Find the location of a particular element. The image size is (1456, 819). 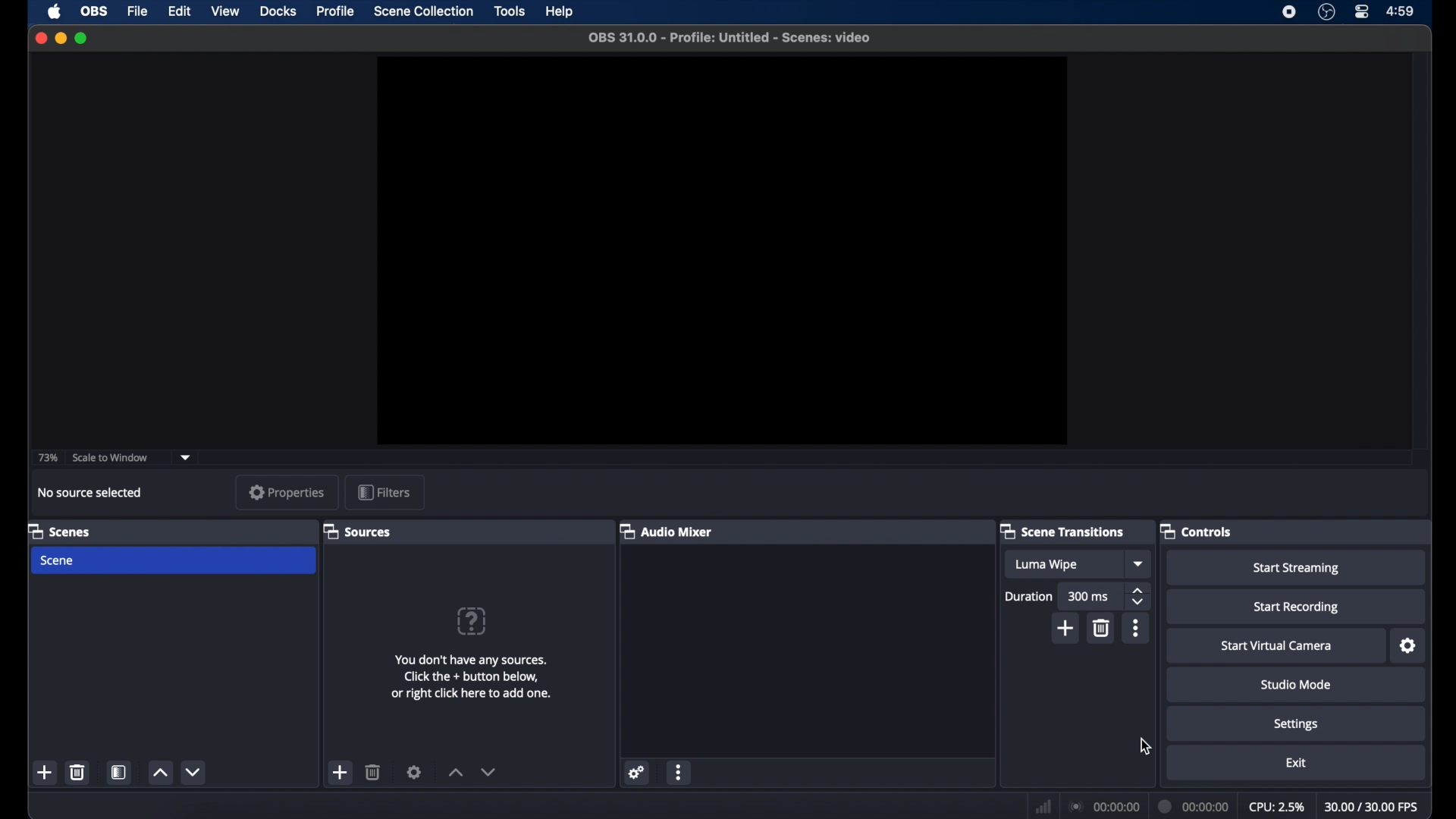

close is located at coordinates (40, 36).